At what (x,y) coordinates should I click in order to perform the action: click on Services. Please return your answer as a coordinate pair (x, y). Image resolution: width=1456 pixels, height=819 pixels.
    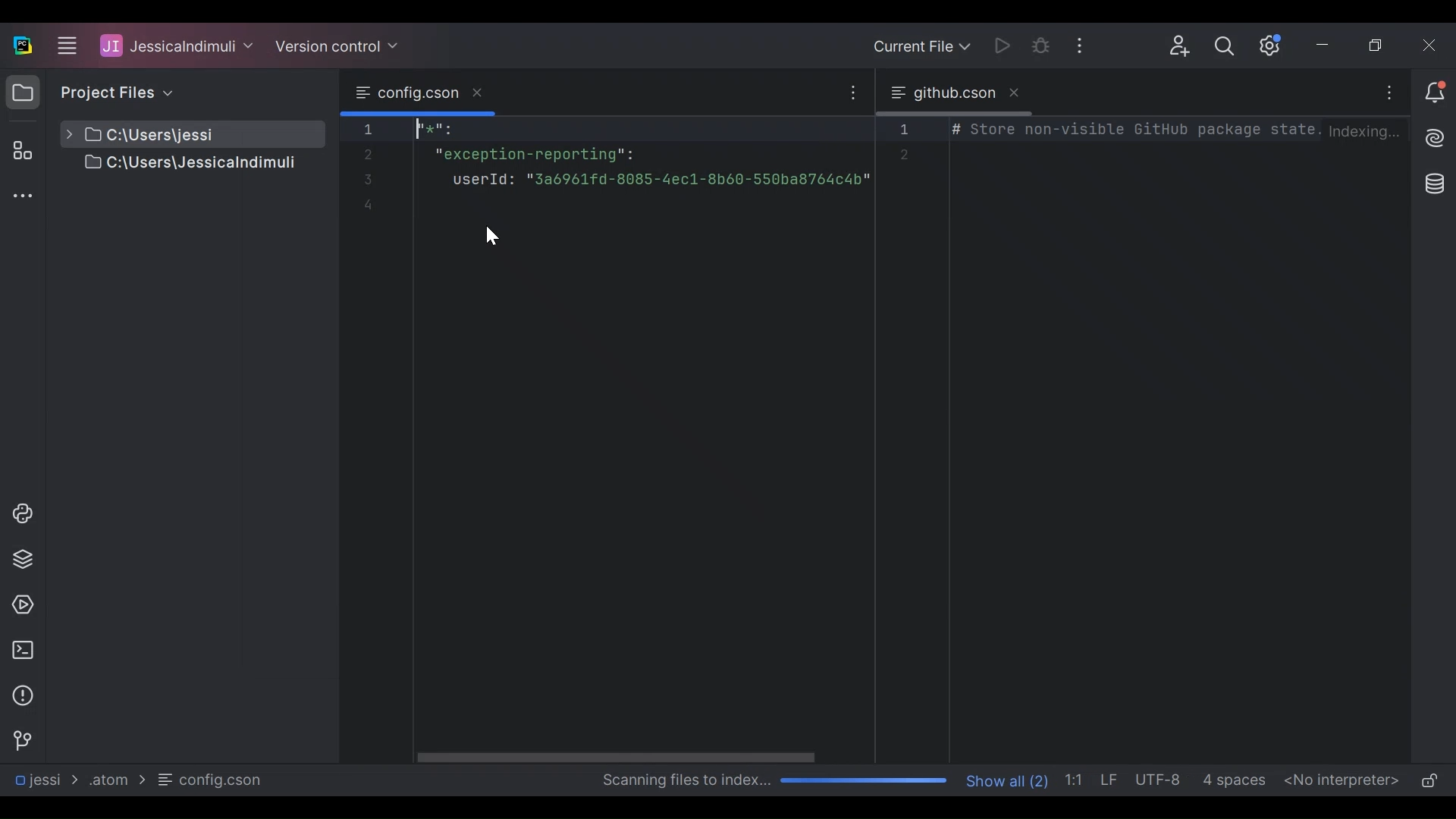
    Looking at the image, I should click on (21, 606).